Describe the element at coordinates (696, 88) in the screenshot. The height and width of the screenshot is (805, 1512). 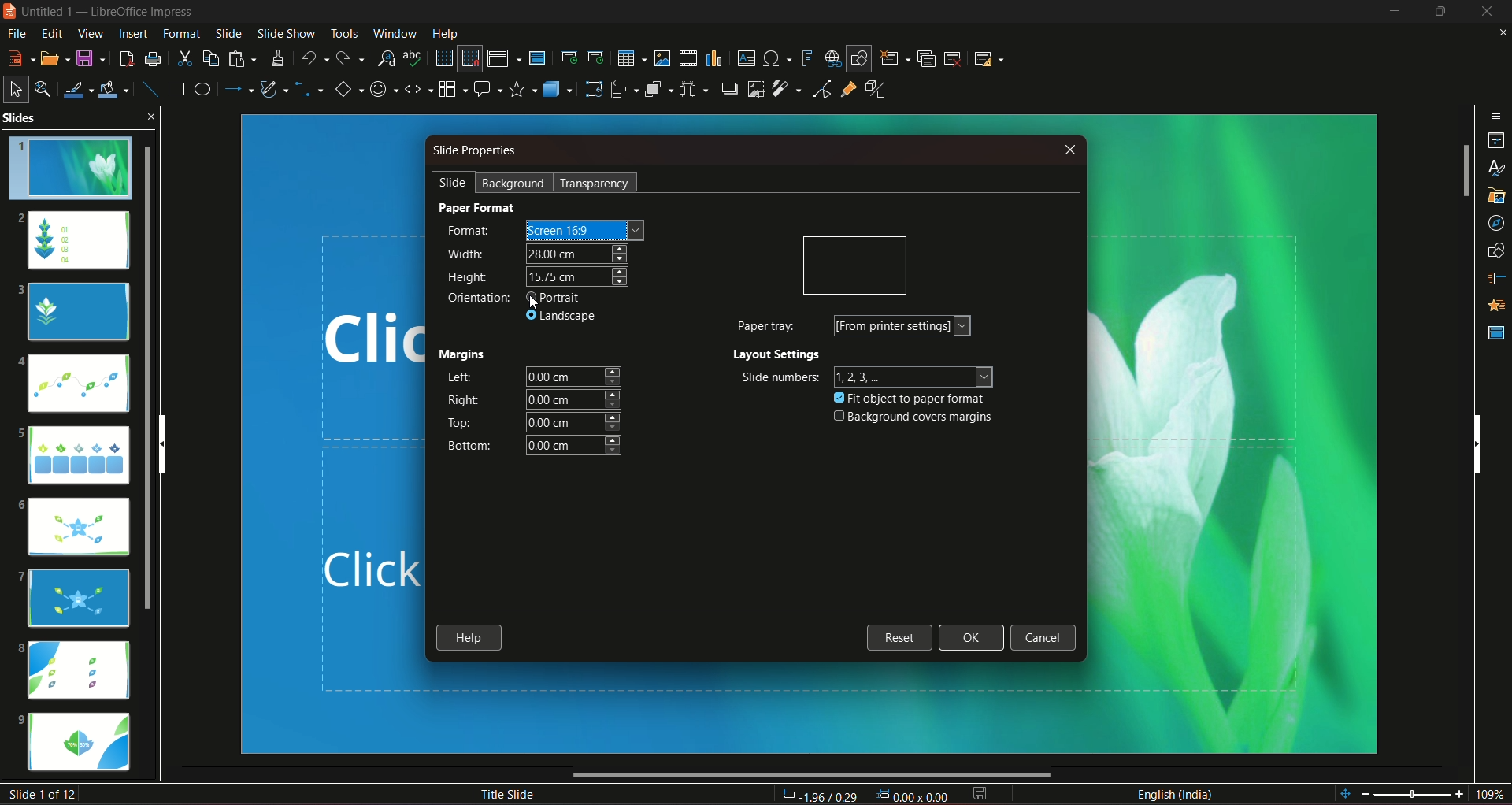
I see `select atlest 3 objects` at that location.